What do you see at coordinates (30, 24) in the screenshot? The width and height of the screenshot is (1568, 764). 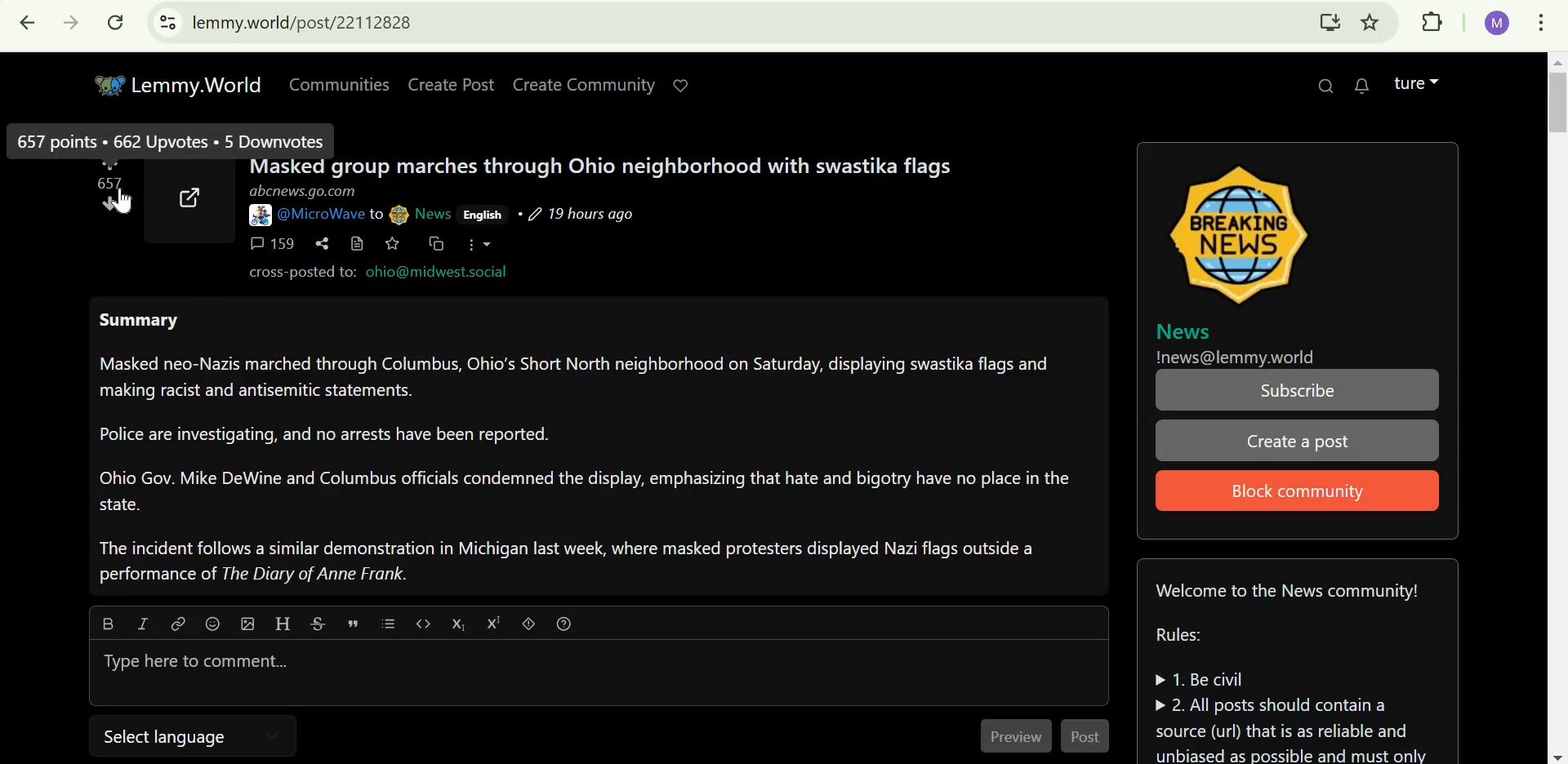 I see `Click to go back, hold to see history` at bounding box center [30, 24].